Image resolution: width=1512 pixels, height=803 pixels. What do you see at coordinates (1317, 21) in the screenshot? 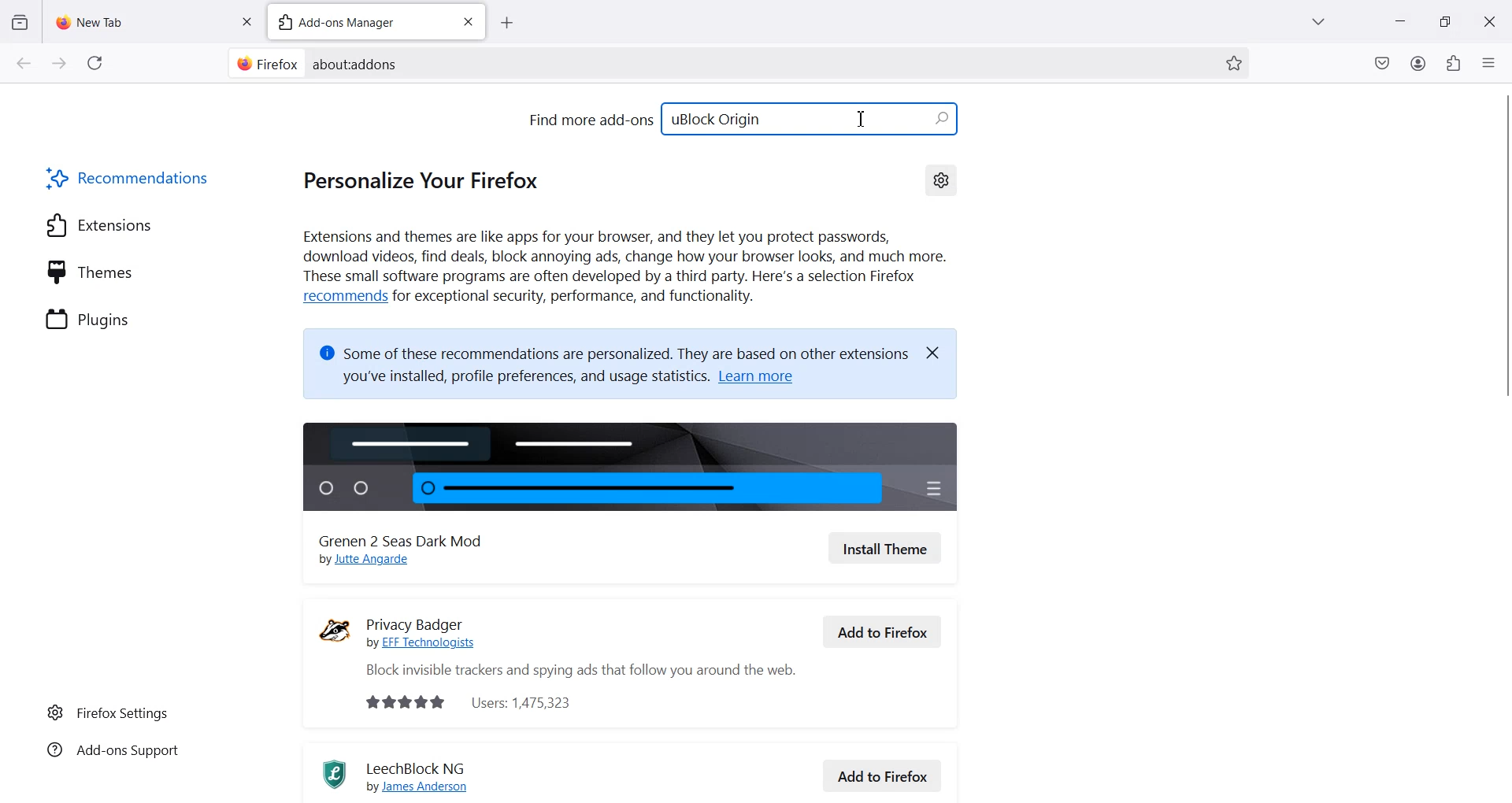
I see `List all Tab` at bounding box center [1317, 21].